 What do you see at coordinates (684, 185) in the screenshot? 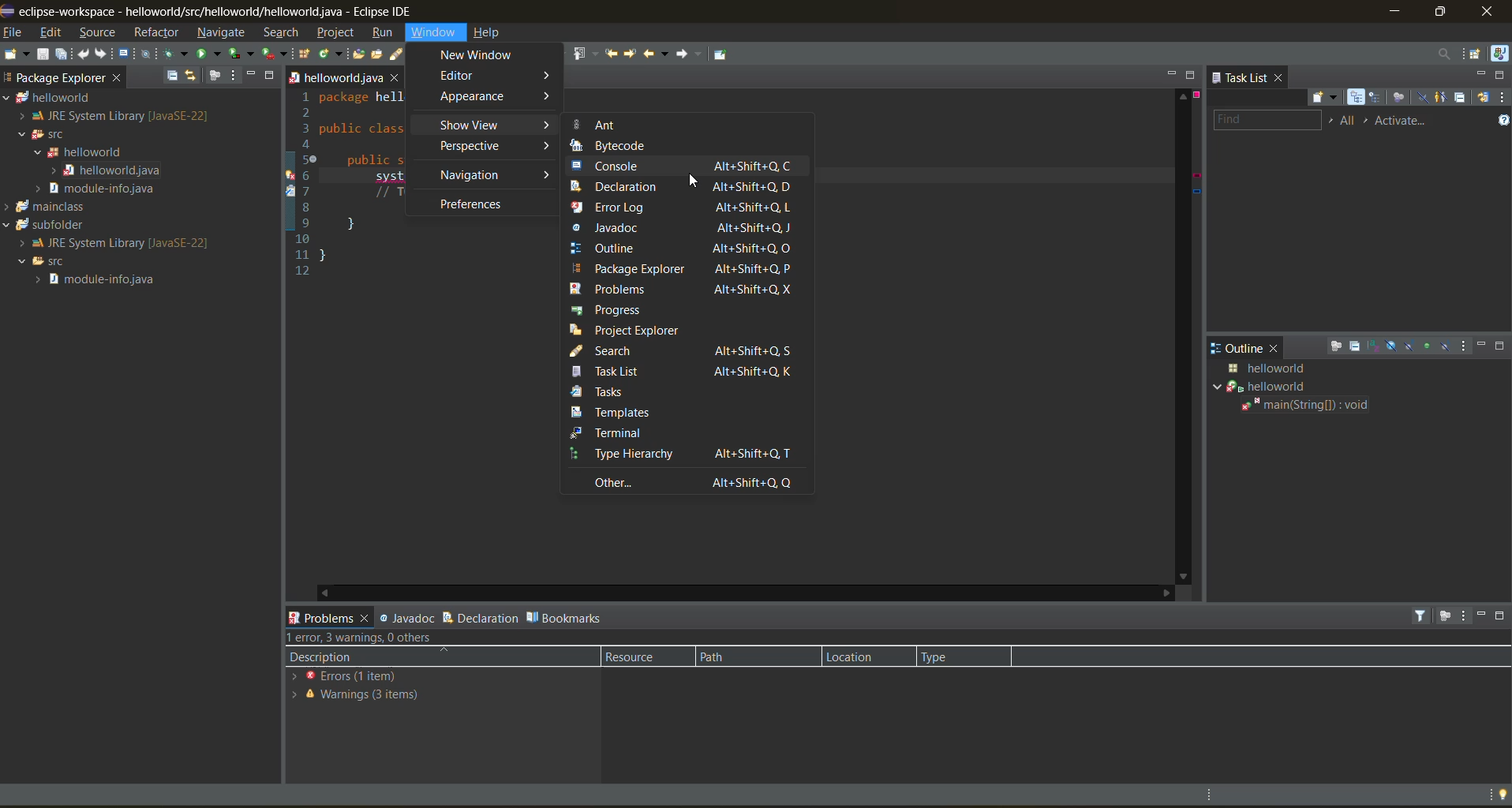
I see `declaration` at bounding box center [684, 185].